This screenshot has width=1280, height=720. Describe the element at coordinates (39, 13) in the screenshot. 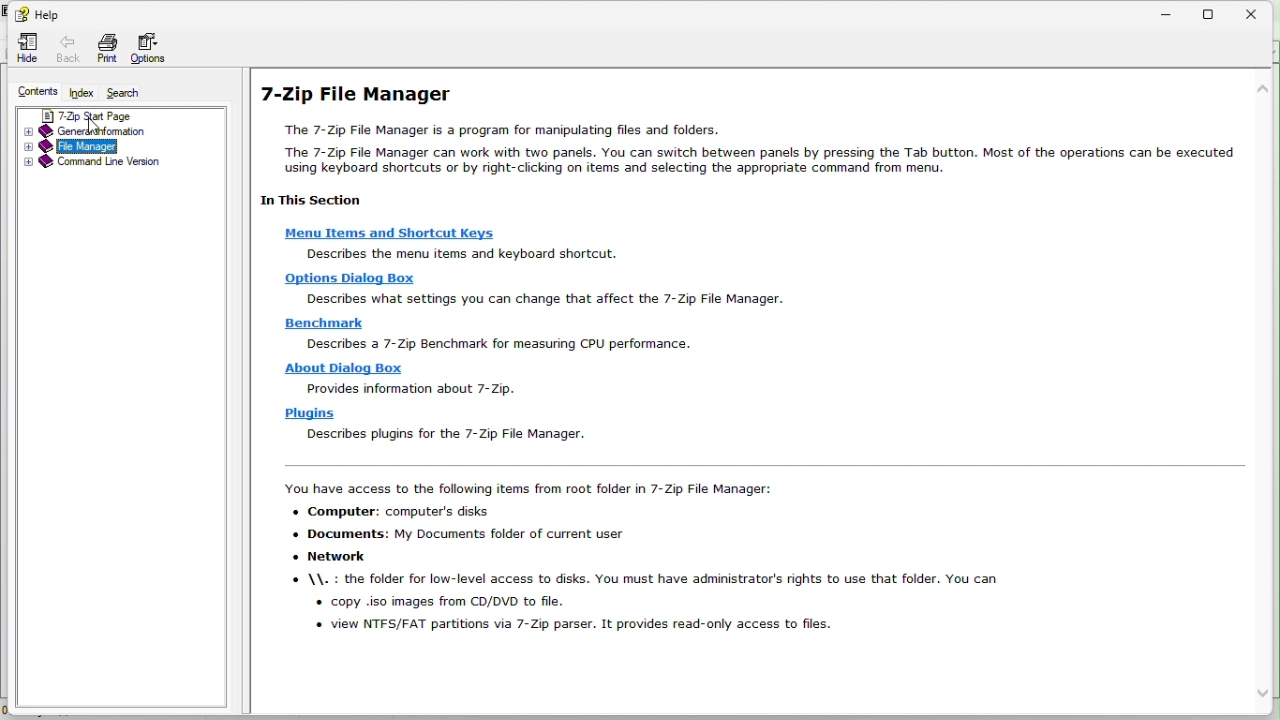

I see `Help ` at that location.